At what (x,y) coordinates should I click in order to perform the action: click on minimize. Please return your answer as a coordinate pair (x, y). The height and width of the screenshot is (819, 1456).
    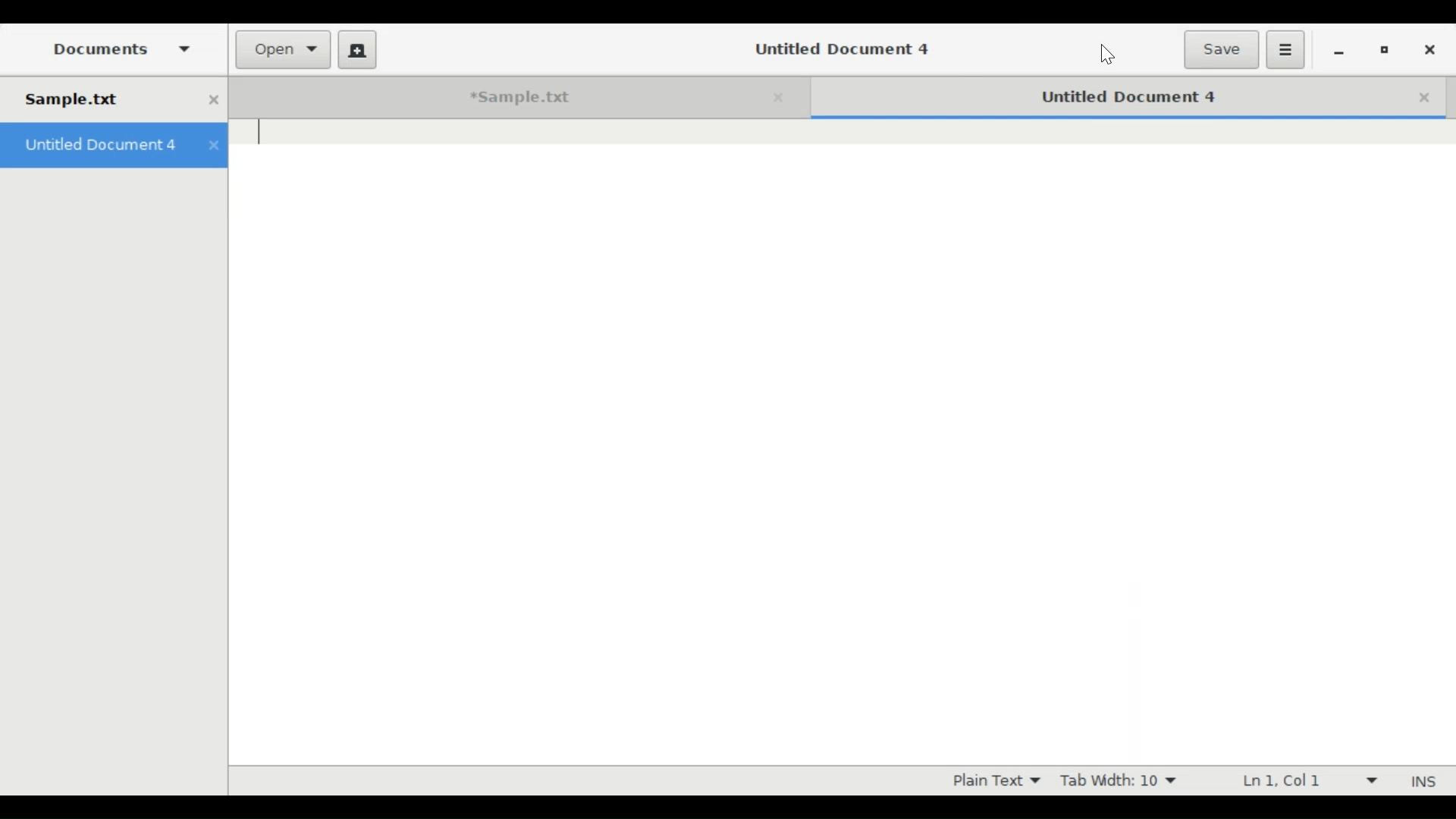
    Looking at the image, I should click on (1340, 52).